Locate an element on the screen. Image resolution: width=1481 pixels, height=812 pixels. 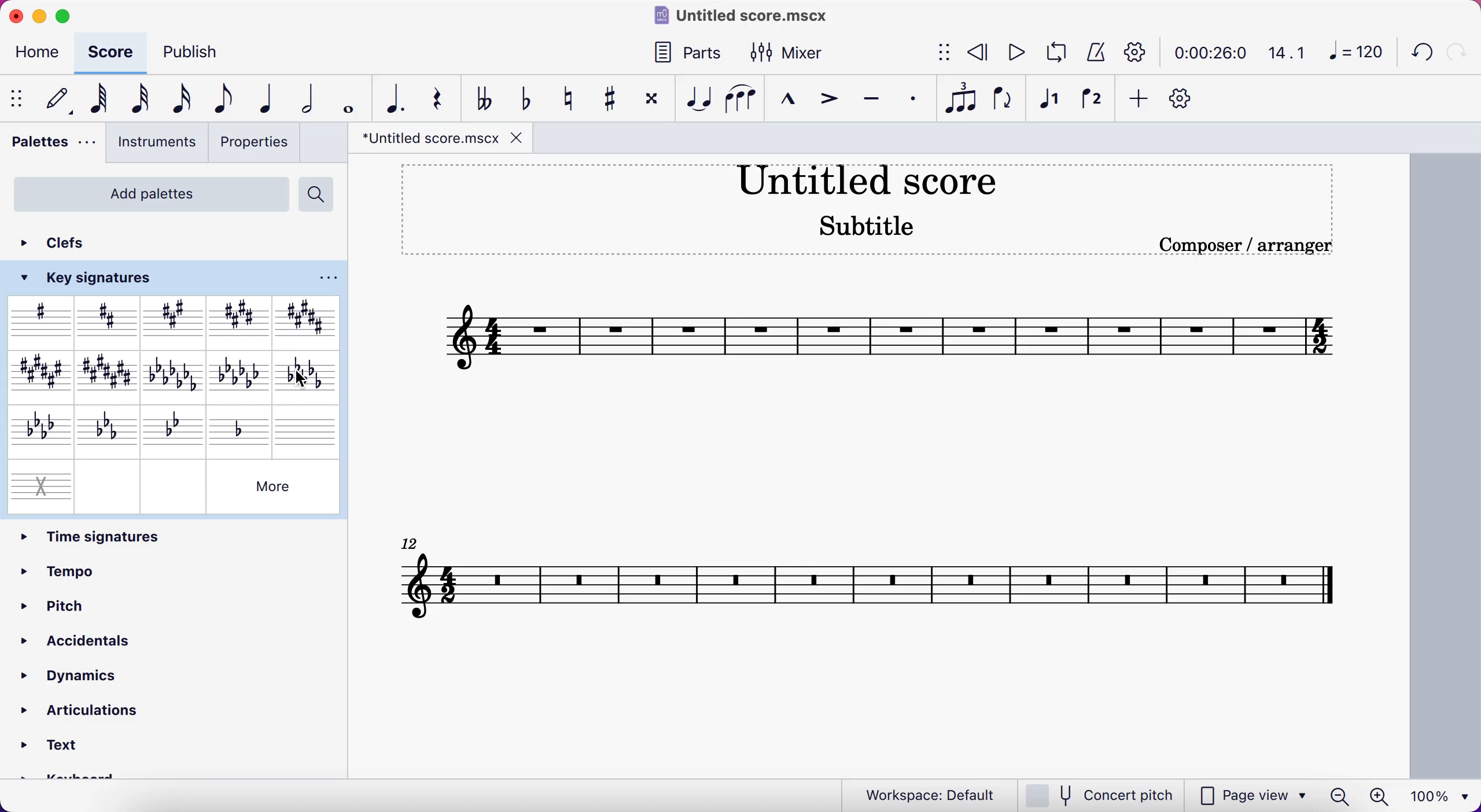
14.1 is located at coordinates (1287, 50).